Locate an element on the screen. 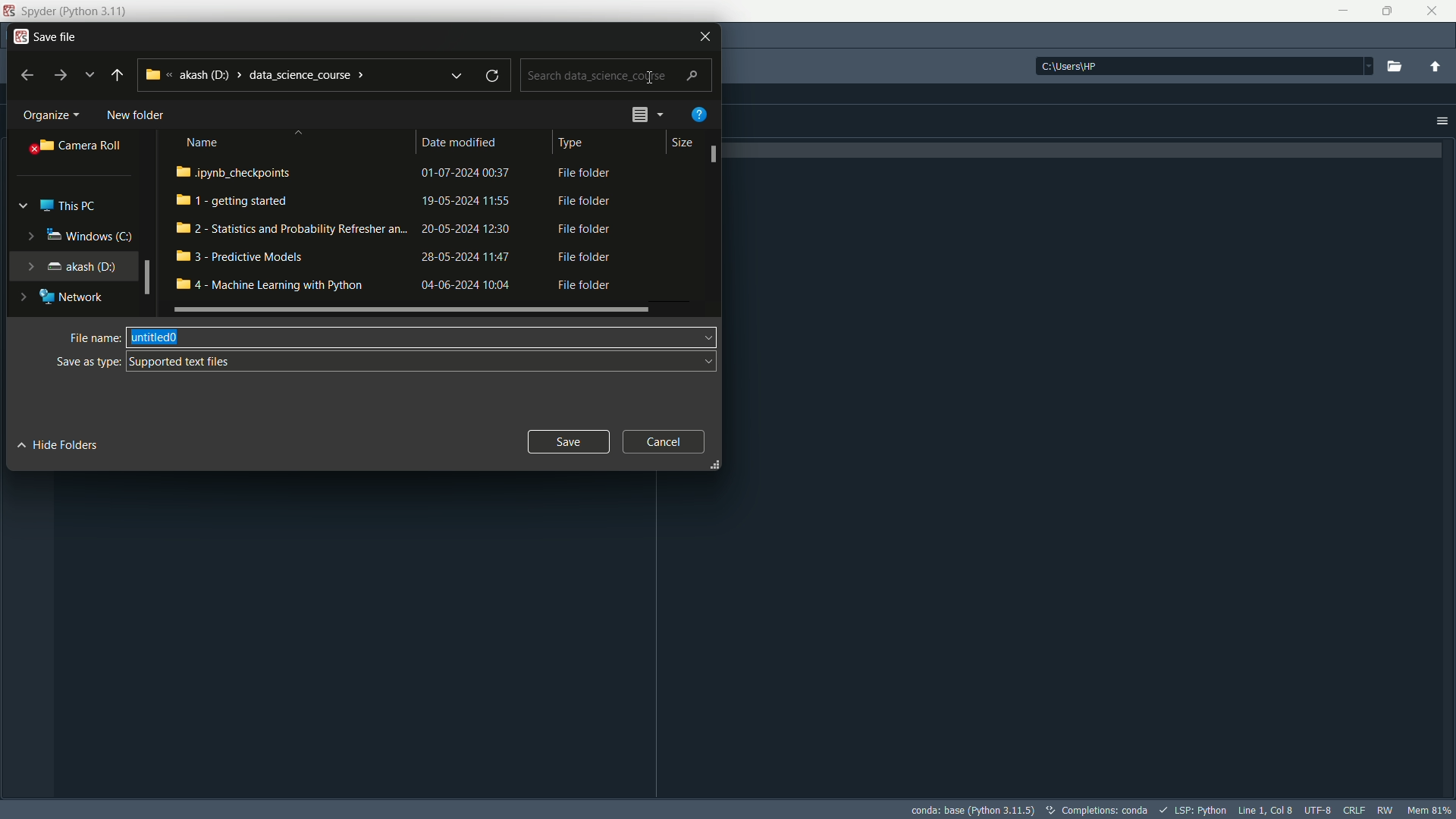 This screenshot has width=1456, height=819. global memory usage is located at coordinates (1428, 810).